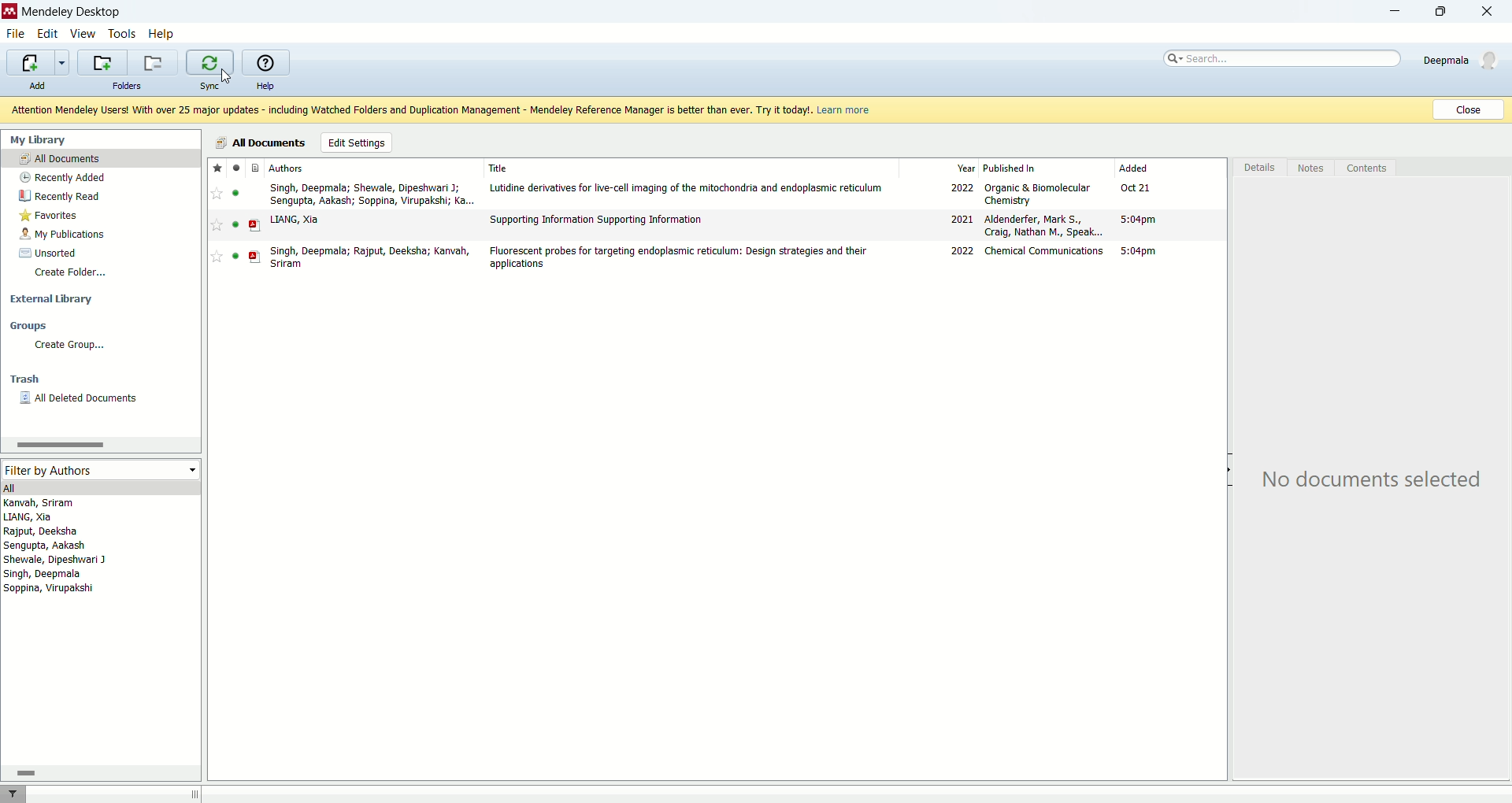 The height and width of the screenshot is (803, 1512). Describe the element at coordinates (83, 34) in the screenshot. I see `view` at that location.